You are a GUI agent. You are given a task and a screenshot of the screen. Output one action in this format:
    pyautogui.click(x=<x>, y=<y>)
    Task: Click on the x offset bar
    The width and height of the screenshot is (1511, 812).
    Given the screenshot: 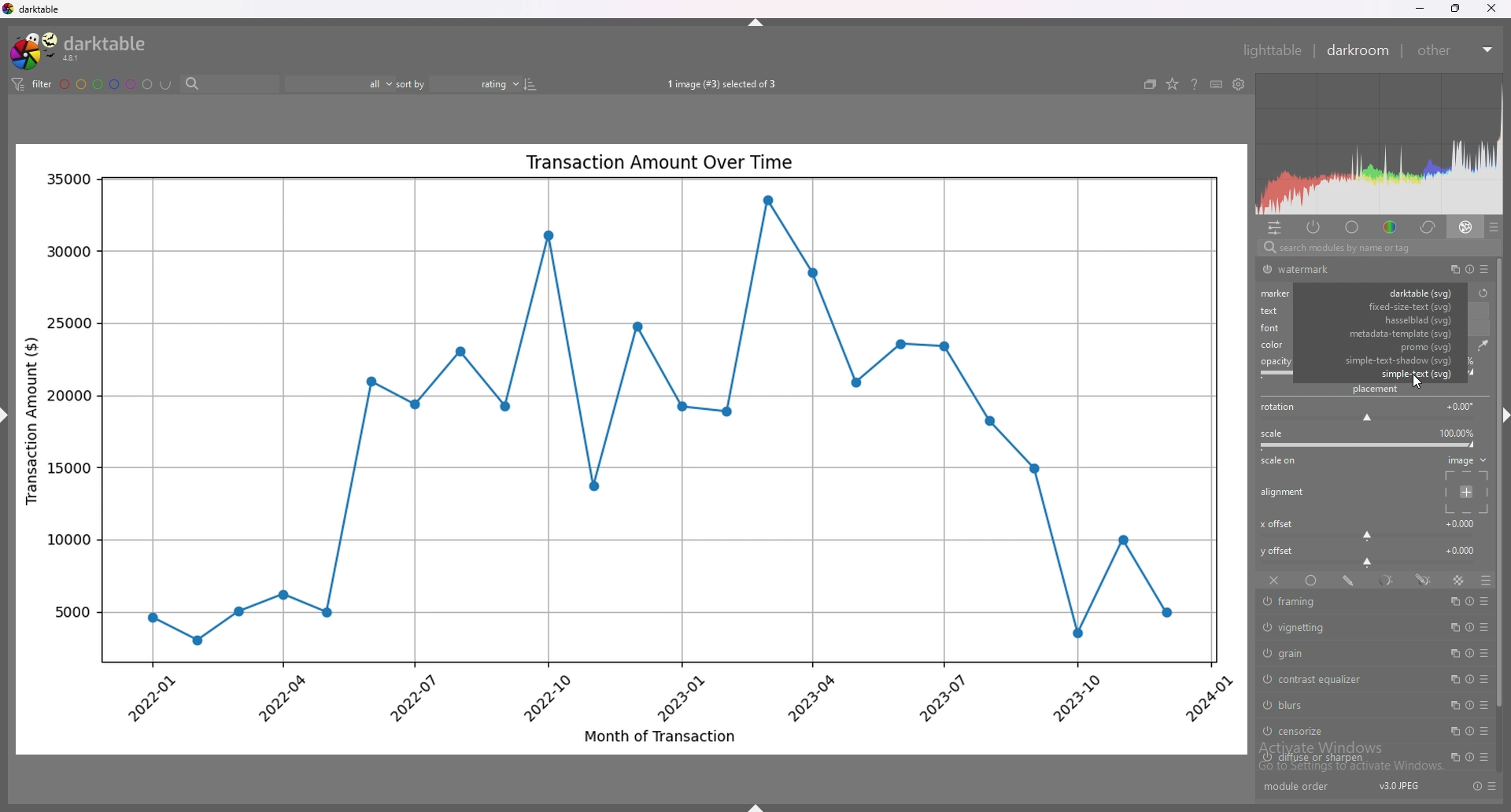 What is the action you would take?
    pyautogui.click(x=1369, y=536)
    